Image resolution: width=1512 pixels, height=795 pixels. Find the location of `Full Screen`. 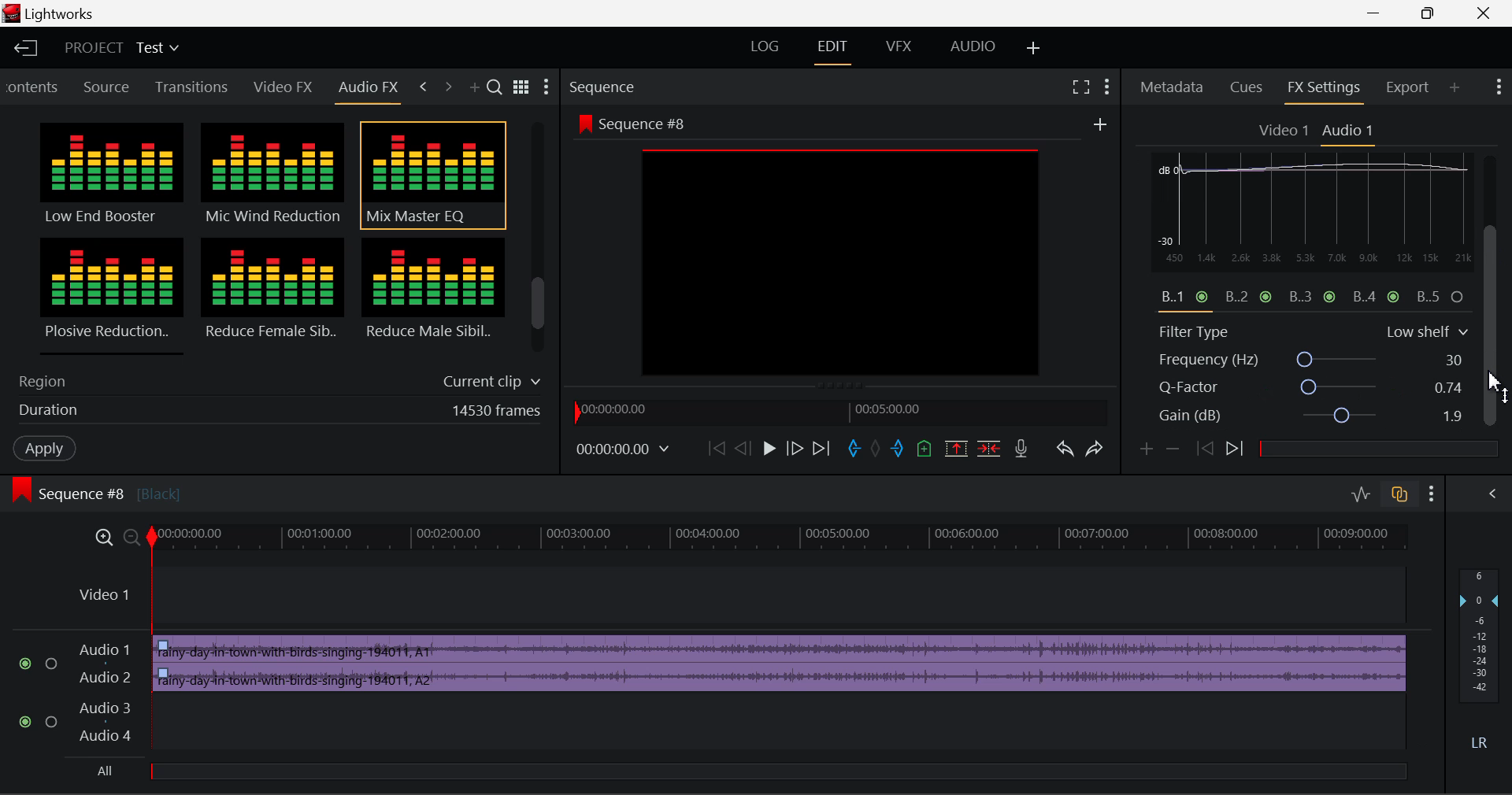

Full Screen is located at coordinates (1080, 87).